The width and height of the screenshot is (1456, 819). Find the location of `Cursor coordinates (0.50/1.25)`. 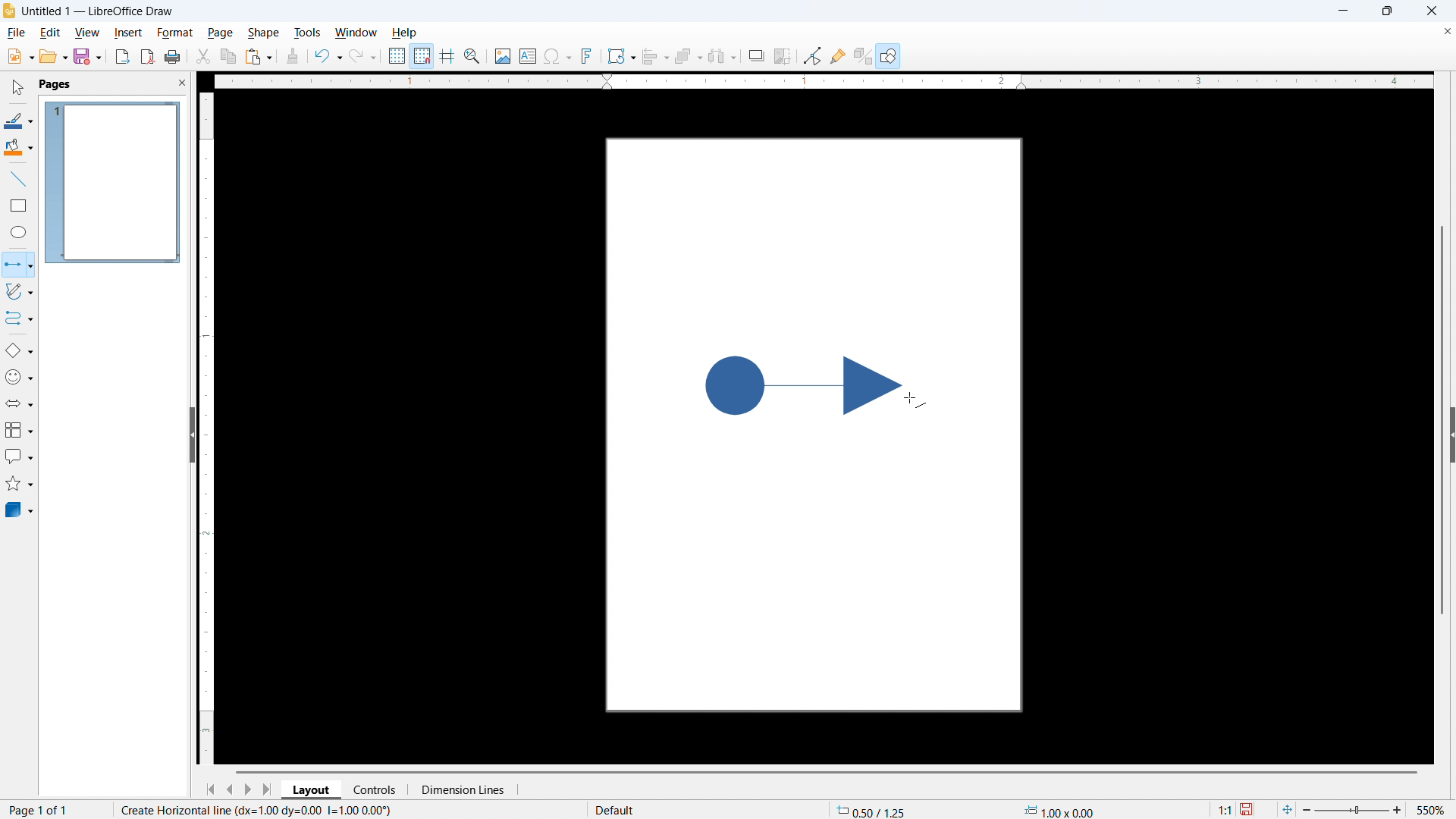

Cursor coordinates (0.50/1.25) is located at coordinates (871, 810).